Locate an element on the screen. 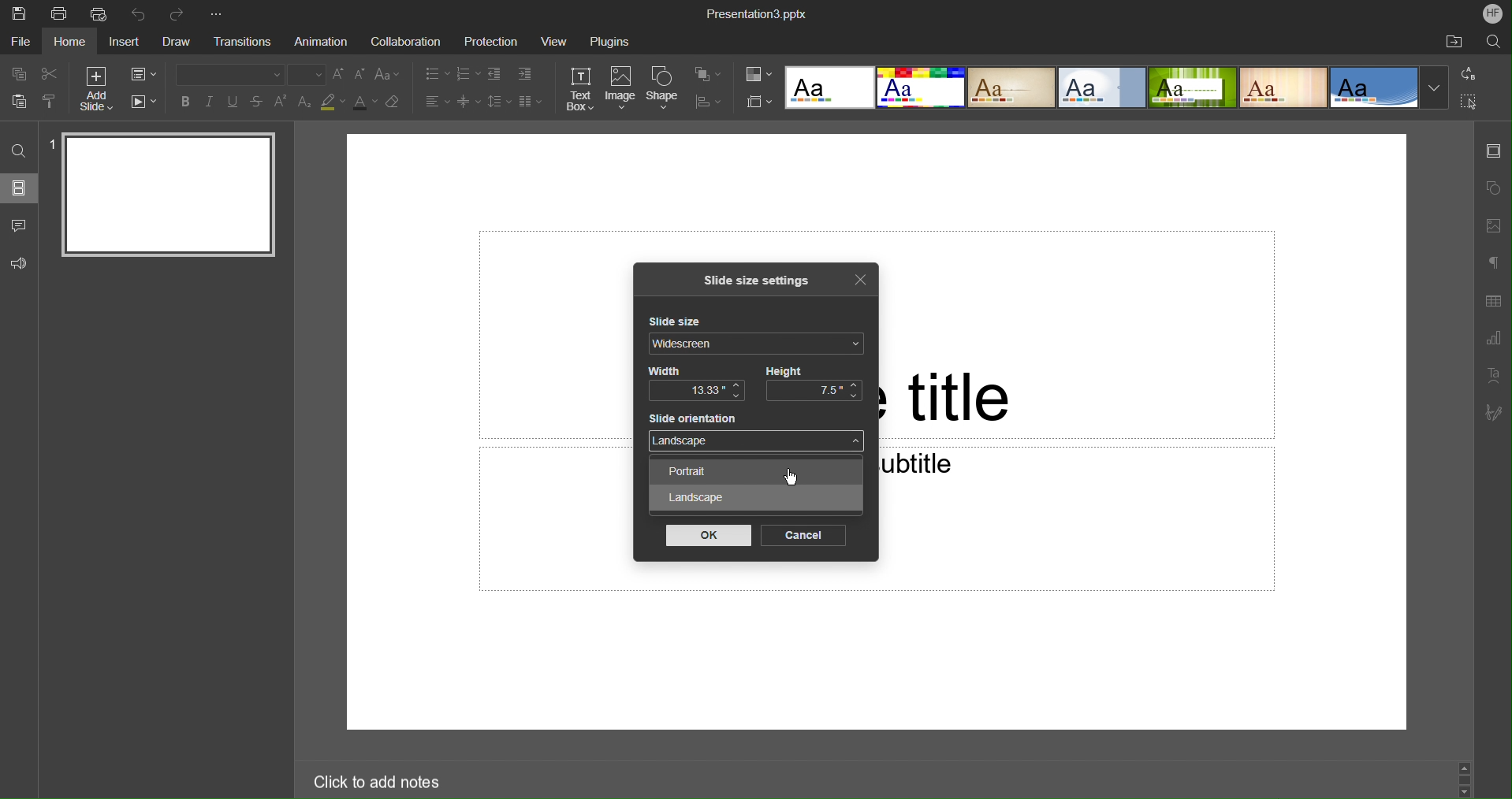 The image size is (1512, 799). Italics is located at coordinates (211, 103).